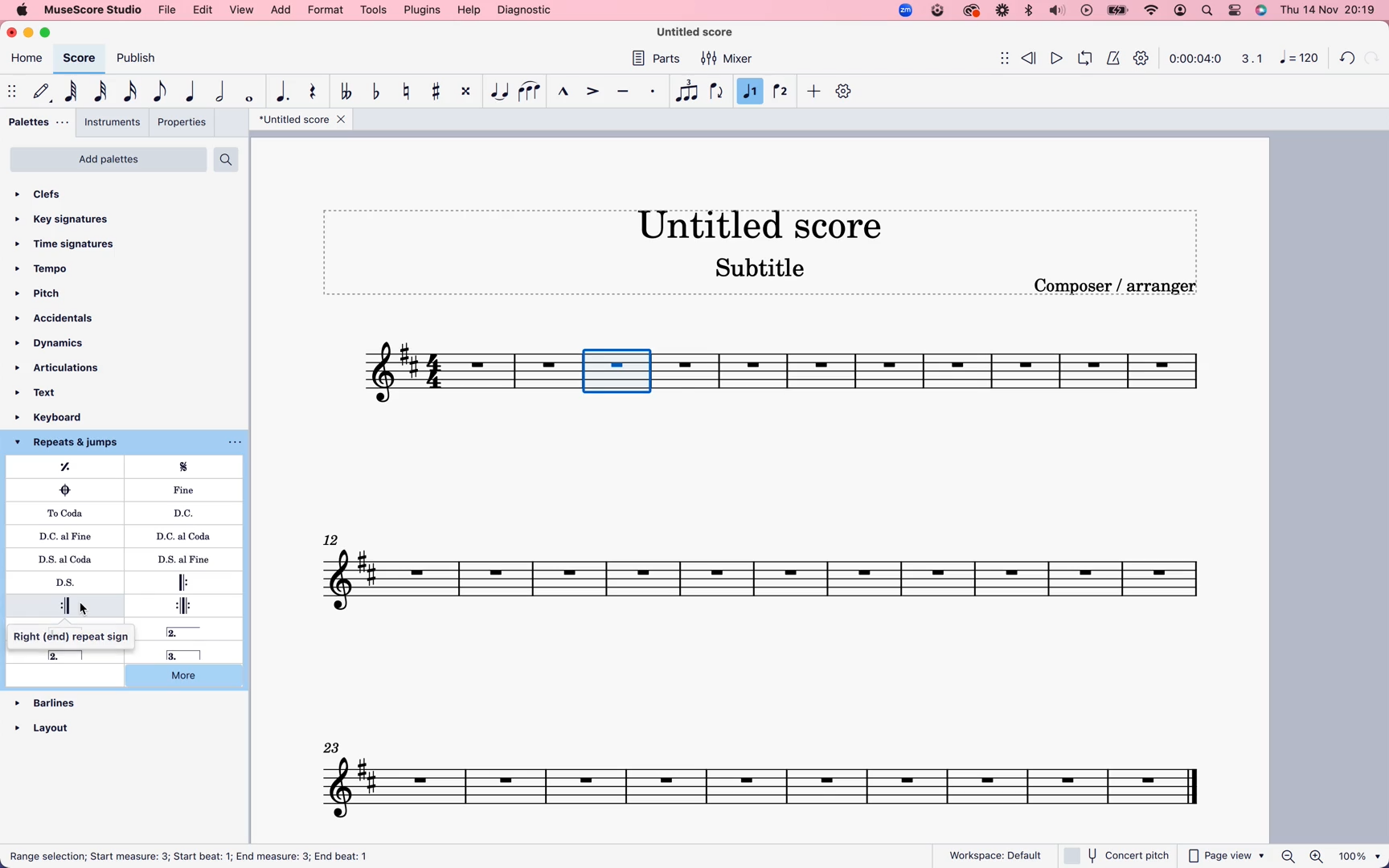 This screenshot has width=1389, height=868. What do you see at coordinates (1057, 11) in the screenshot?
I see `volume` at bounding box center [1057, 11].